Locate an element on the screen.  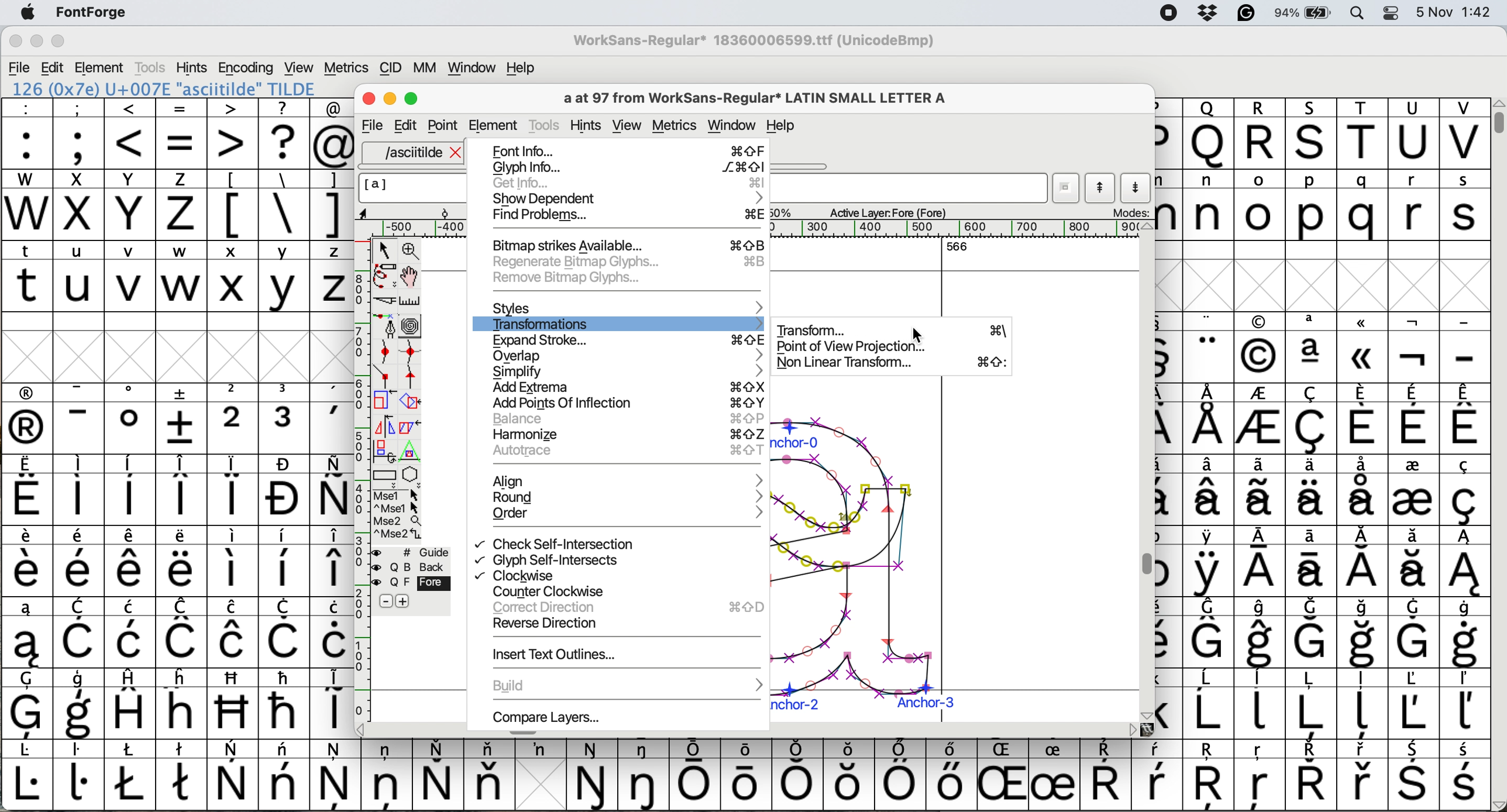
R is located at coordinates (1260, 134).